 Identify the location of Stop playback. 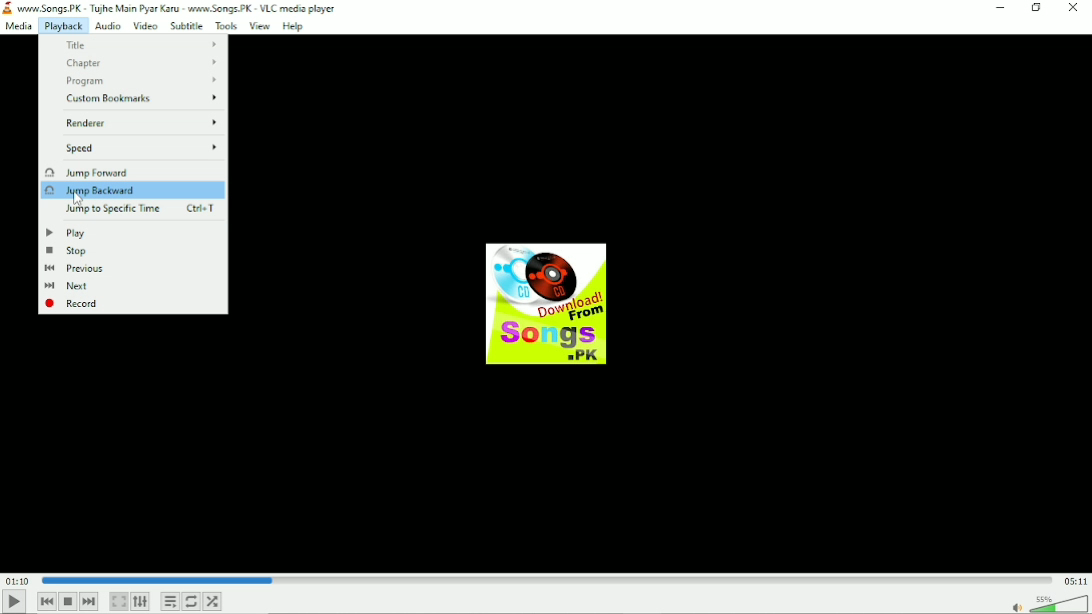
(68, 602).